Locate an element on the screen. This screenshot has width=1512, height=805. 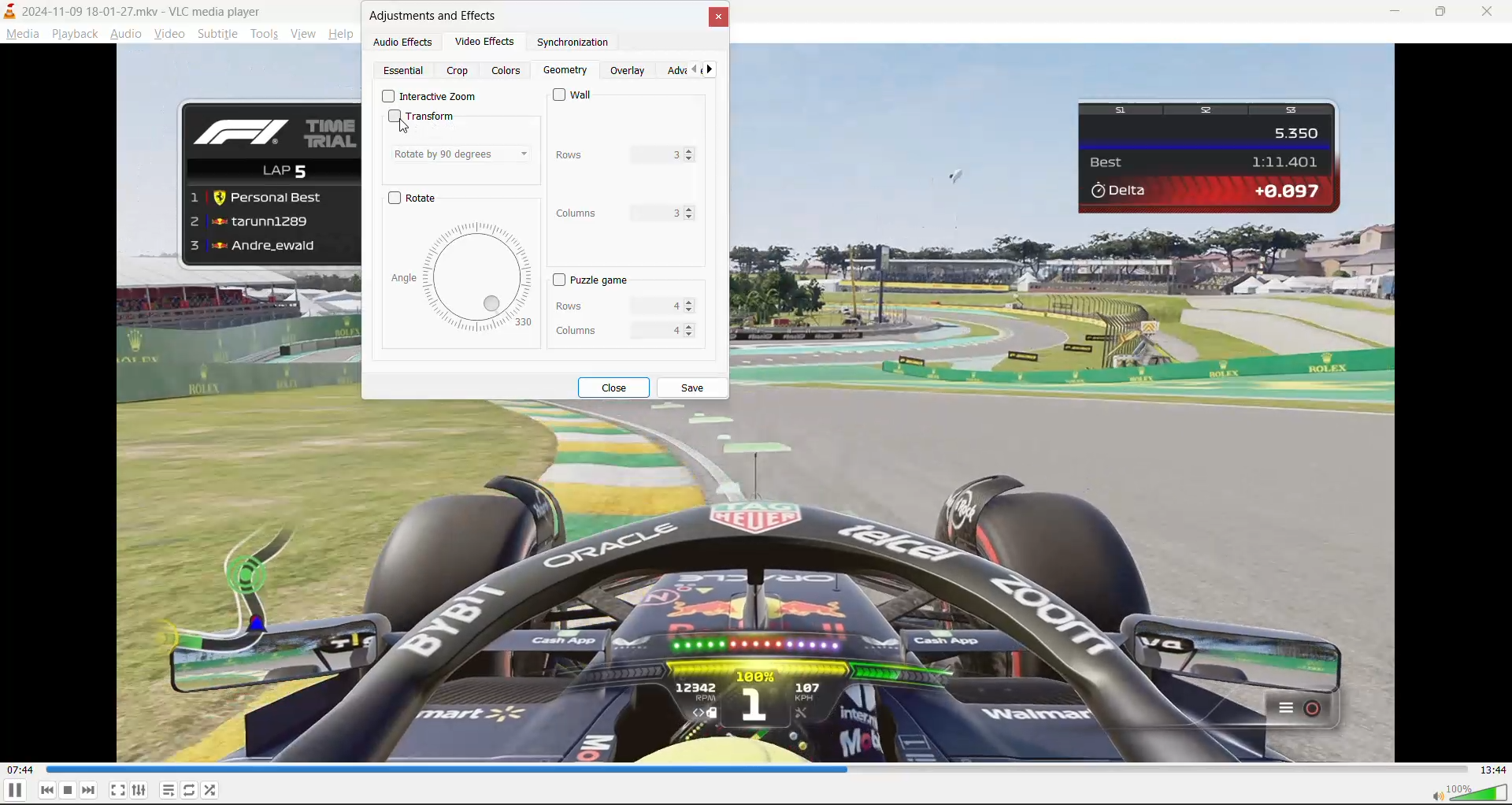
puzzle game is located at coordinates (595, 283).